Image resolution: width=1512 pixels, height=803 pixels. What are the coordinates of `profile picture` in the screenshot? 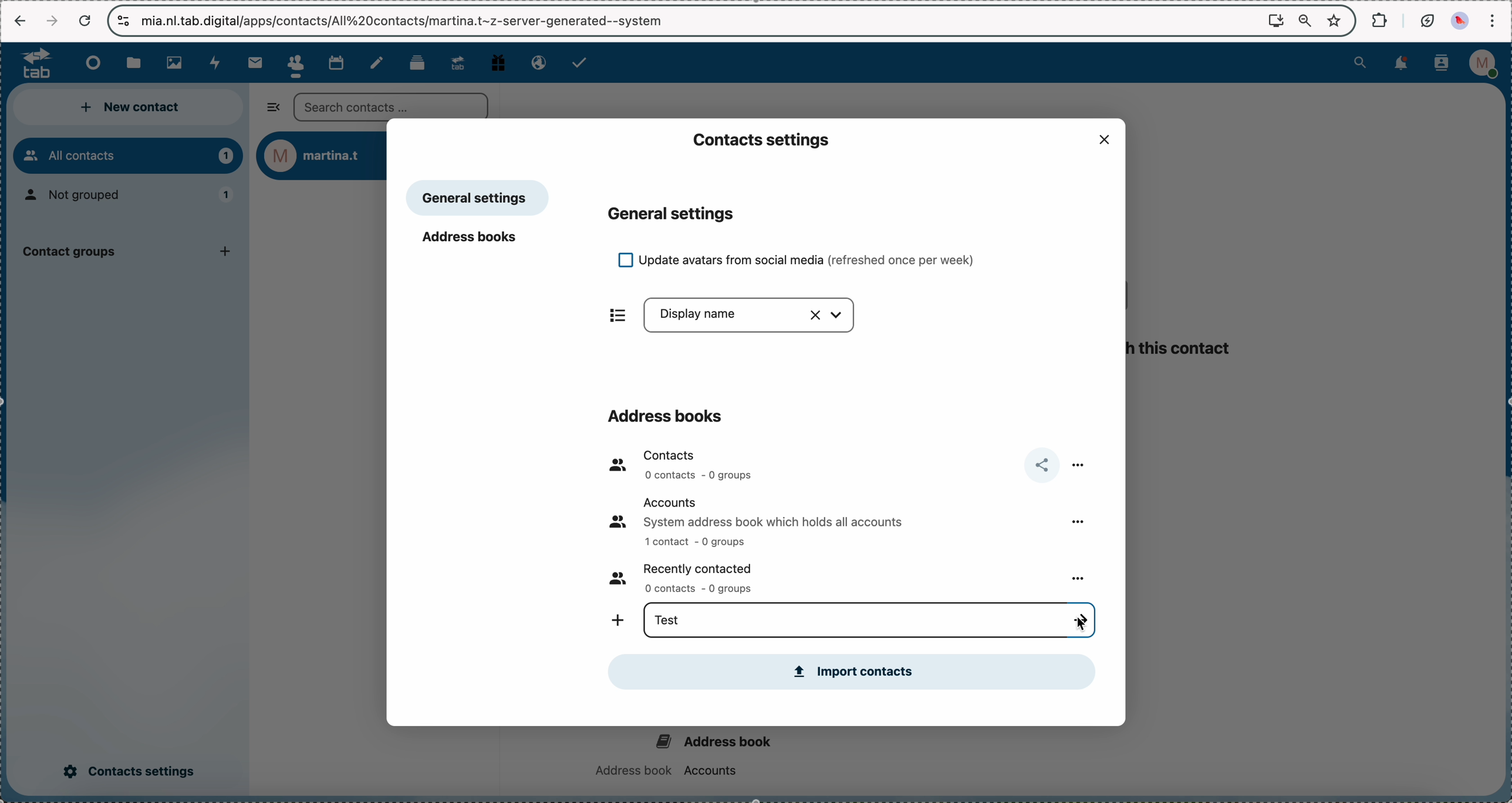 It's located at (1460, 20).